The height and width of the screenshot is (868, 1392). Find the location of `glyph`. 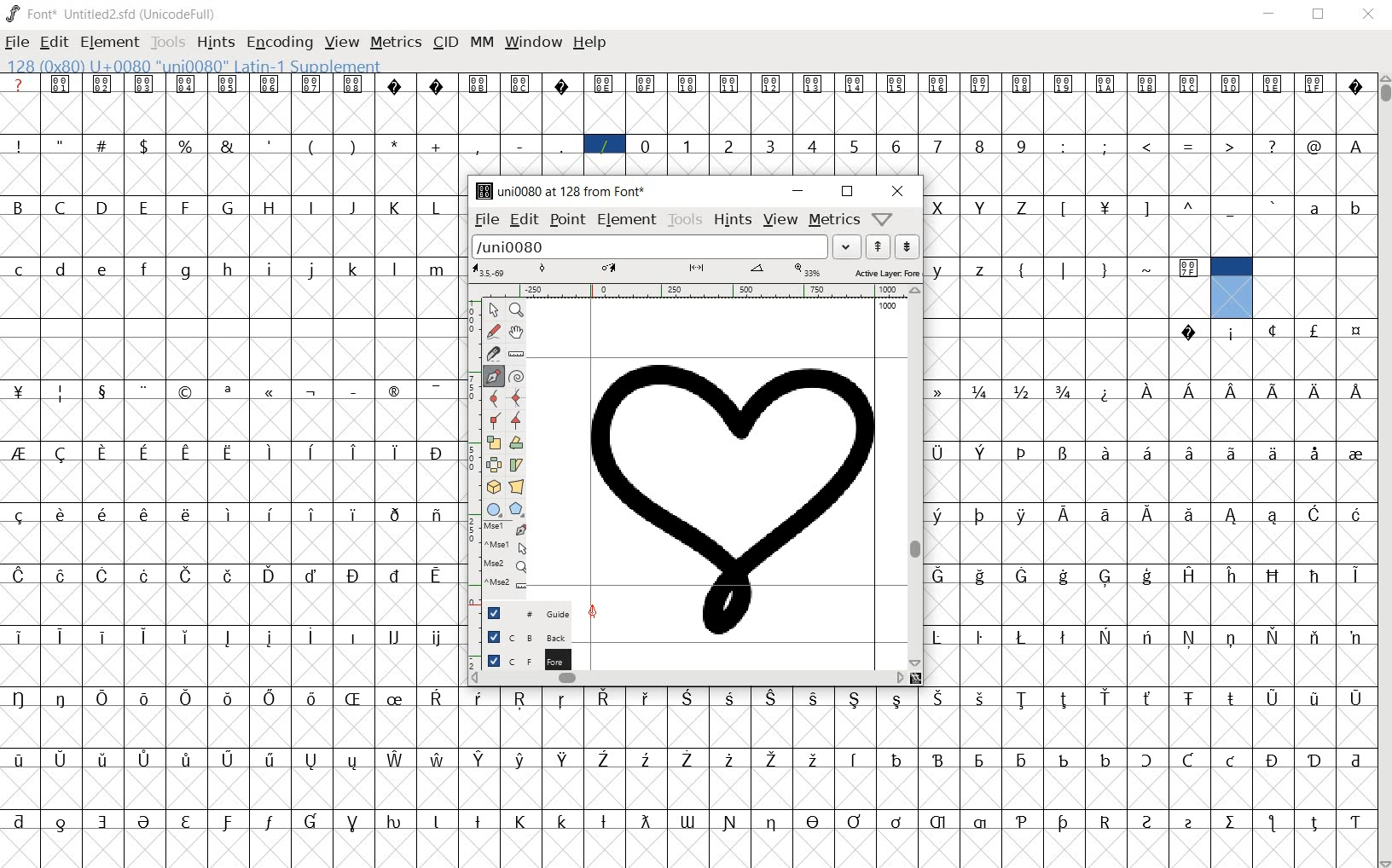

glyph is located at coordinates (980, 576).